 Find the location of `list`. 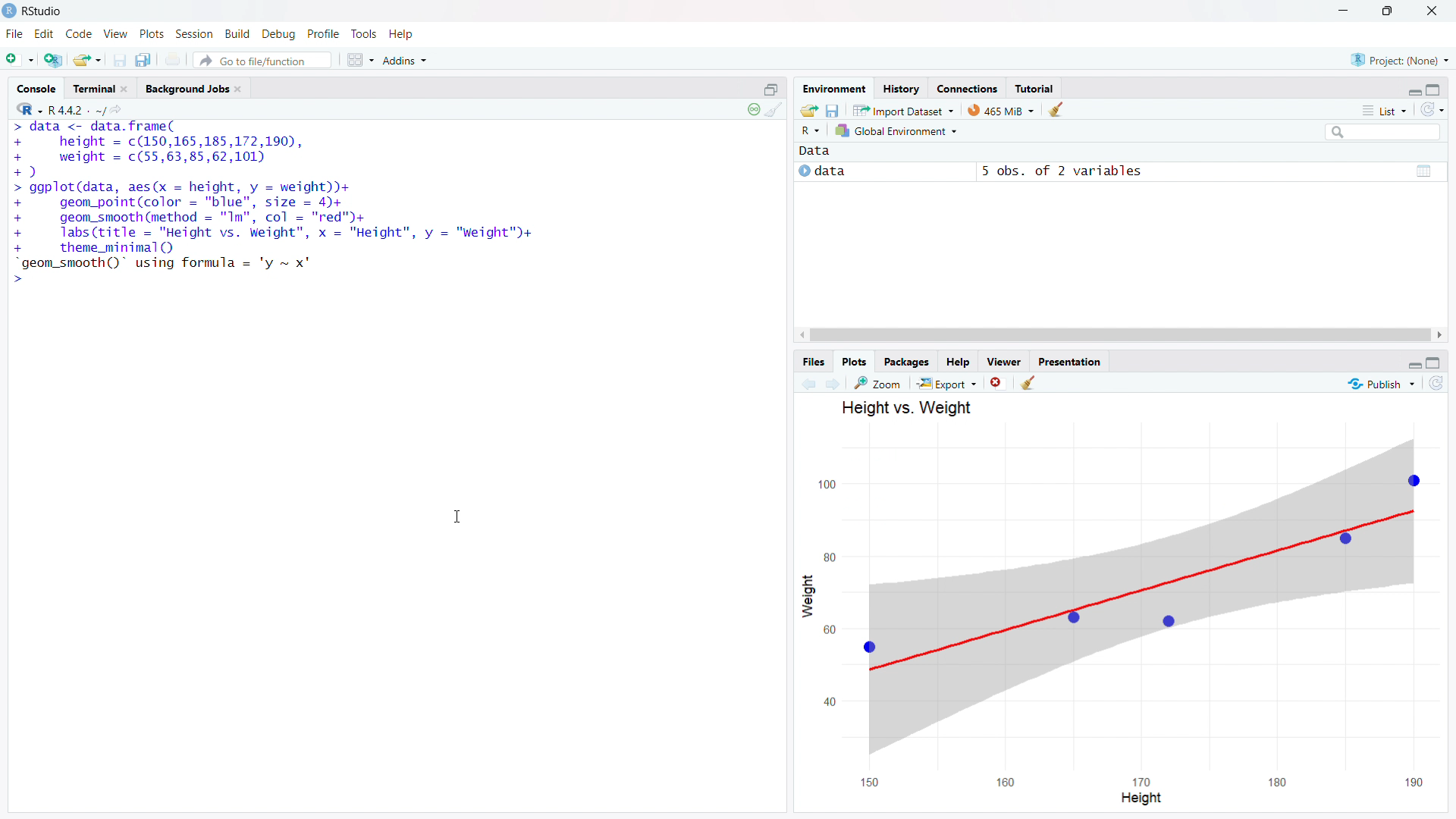

list is located at coordinates (1384, 110).